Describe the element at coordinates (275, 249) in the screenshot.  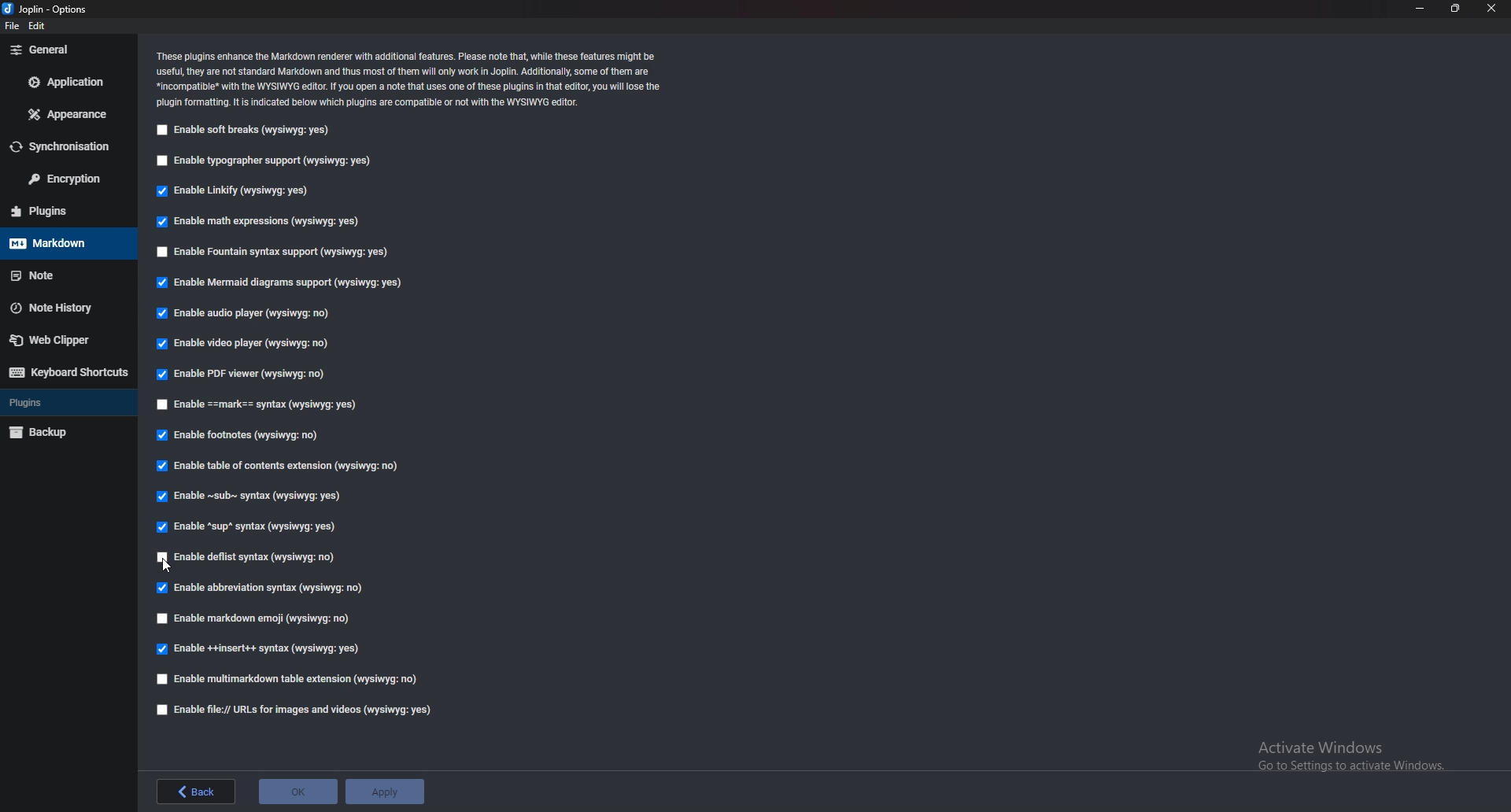
I see `Enable fountain syntax support` at that location.